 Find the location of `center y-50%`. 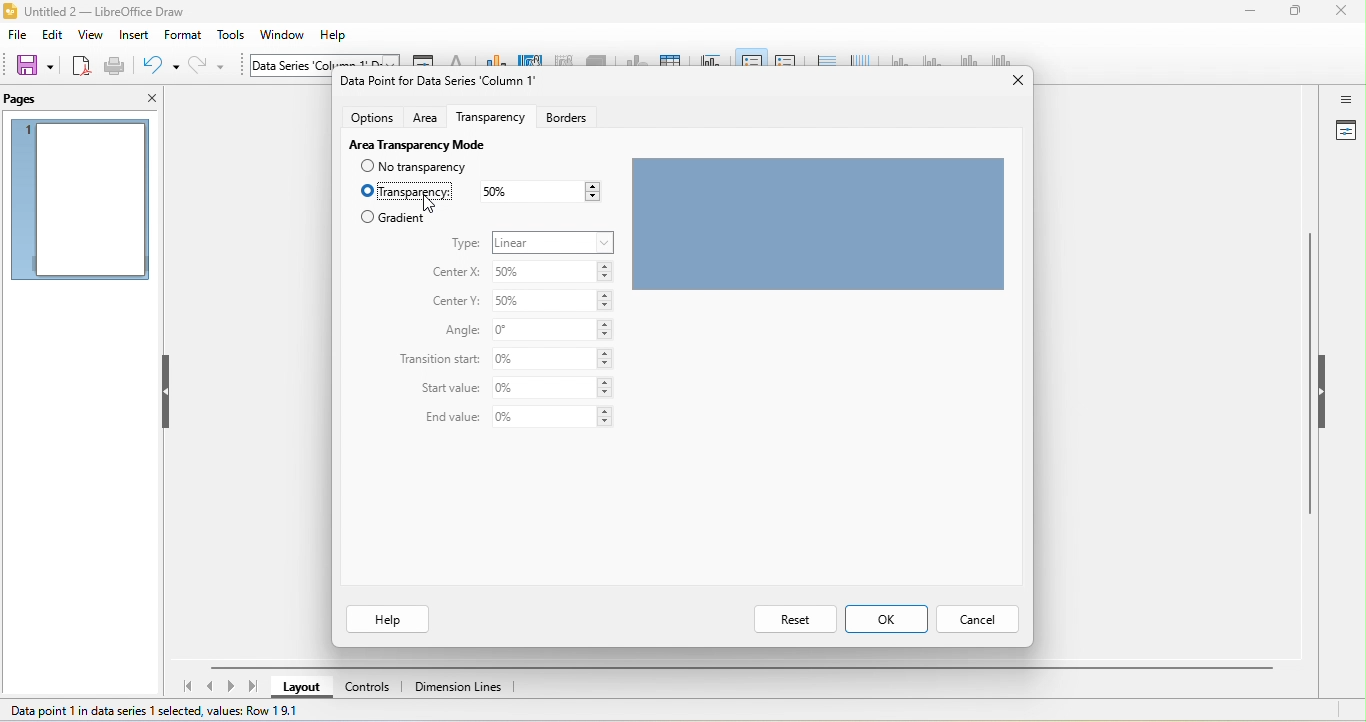

center y-50% is located at coordinates (551, 300).